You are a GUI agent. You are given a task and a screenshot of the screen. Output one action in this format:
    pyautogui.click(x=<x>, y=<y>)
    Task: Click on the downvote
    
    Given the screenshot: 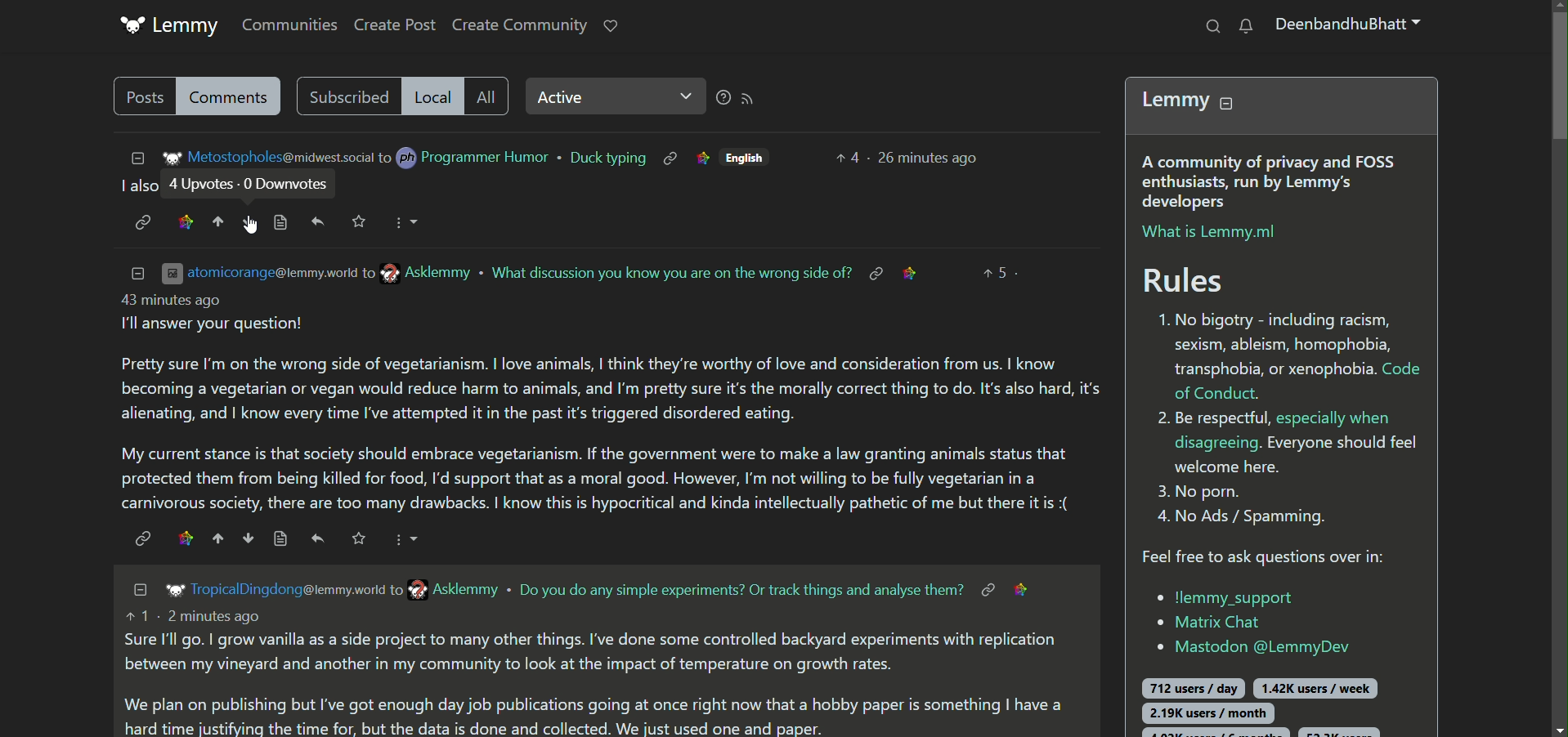 What is the action you would take?
    pyautogui.click(x=250, y=224)
    